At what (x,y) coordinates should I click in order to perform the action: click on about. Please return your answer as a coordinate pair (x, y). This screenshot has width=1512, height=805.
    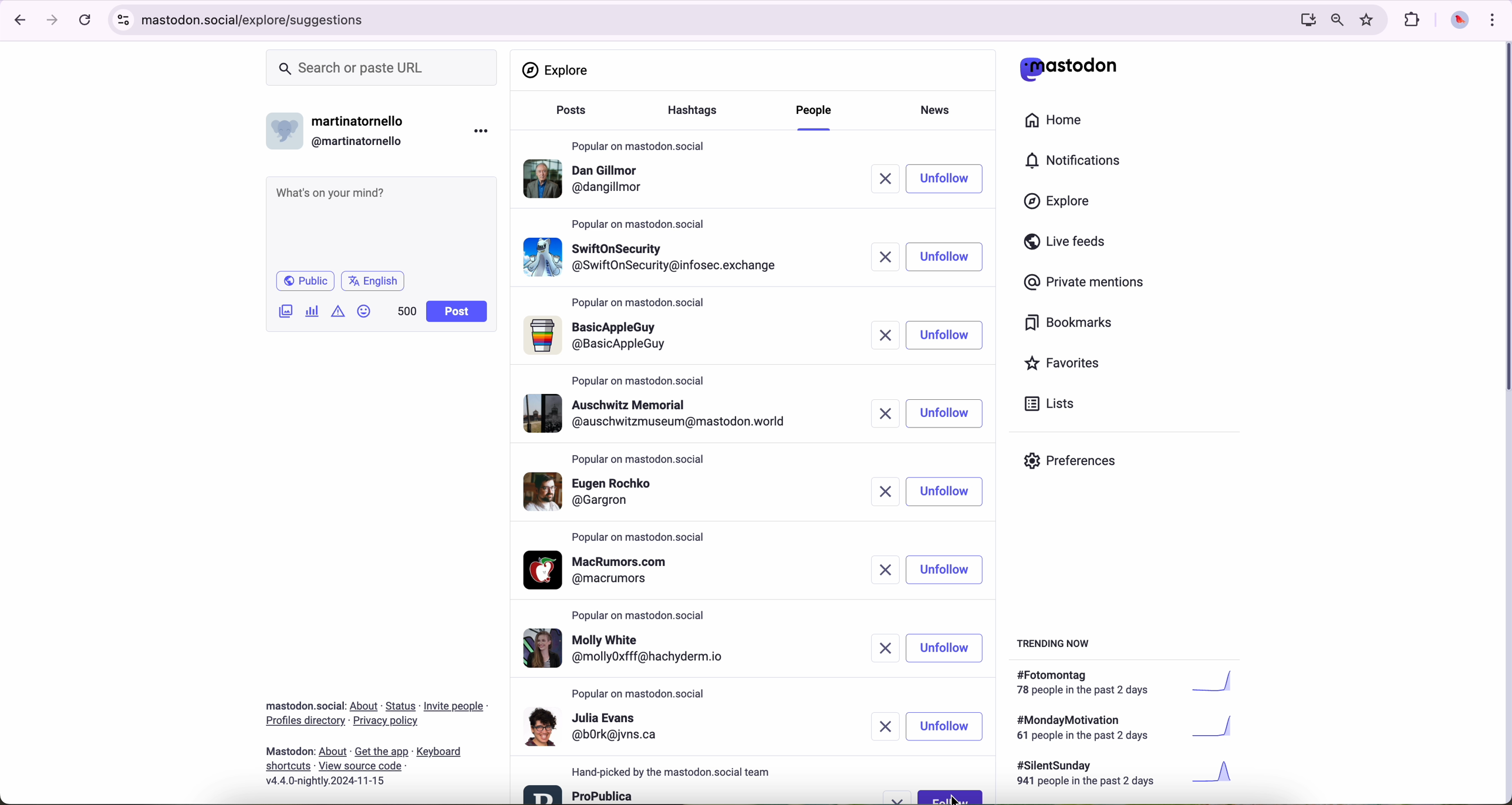
    Looking at the image, I should click on (376, 739).